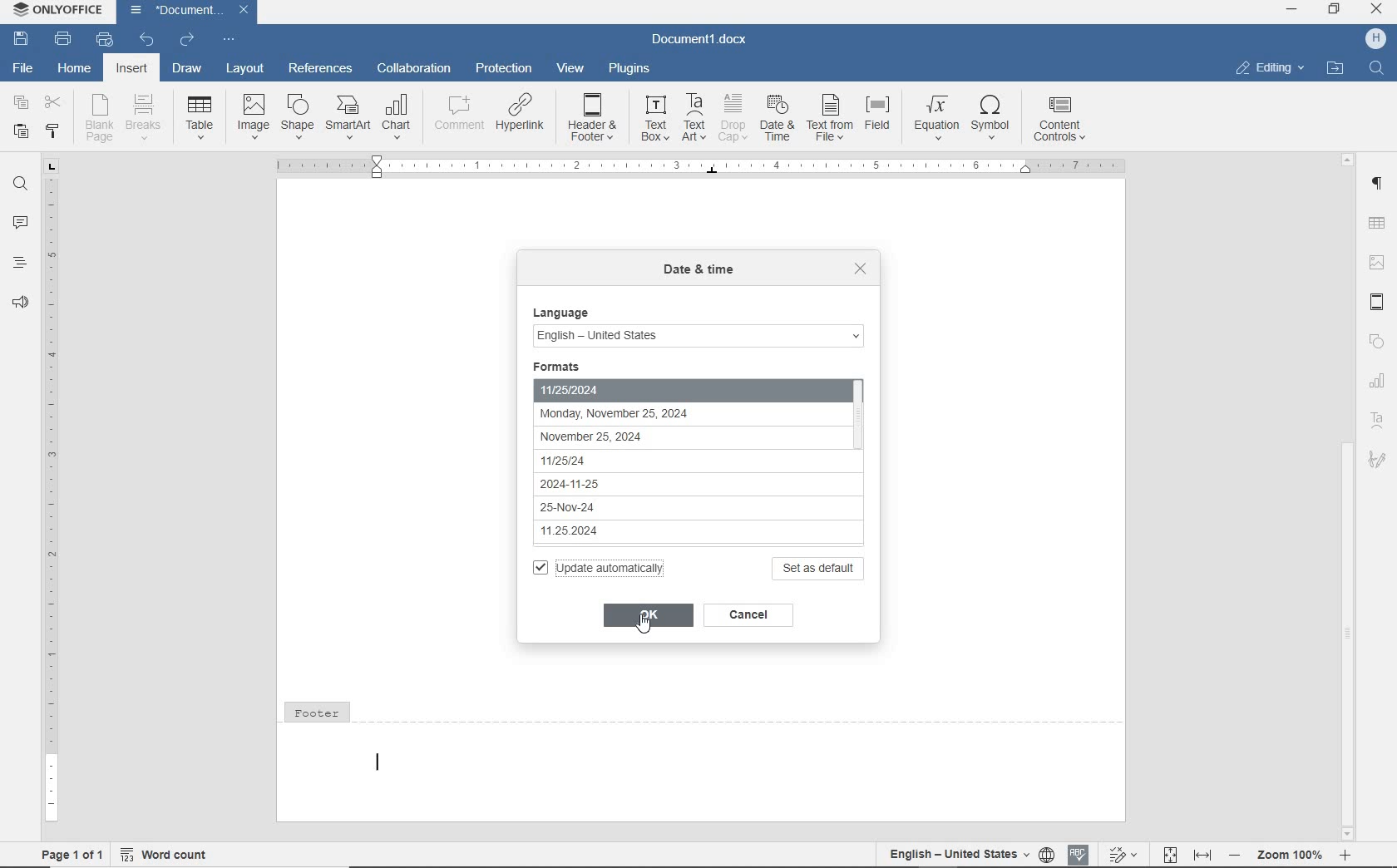 The image size is (1397, 868). What do you see at coordinates (18, 222) in the screenshot?
I see `comments` at bounding box center [18, 222].